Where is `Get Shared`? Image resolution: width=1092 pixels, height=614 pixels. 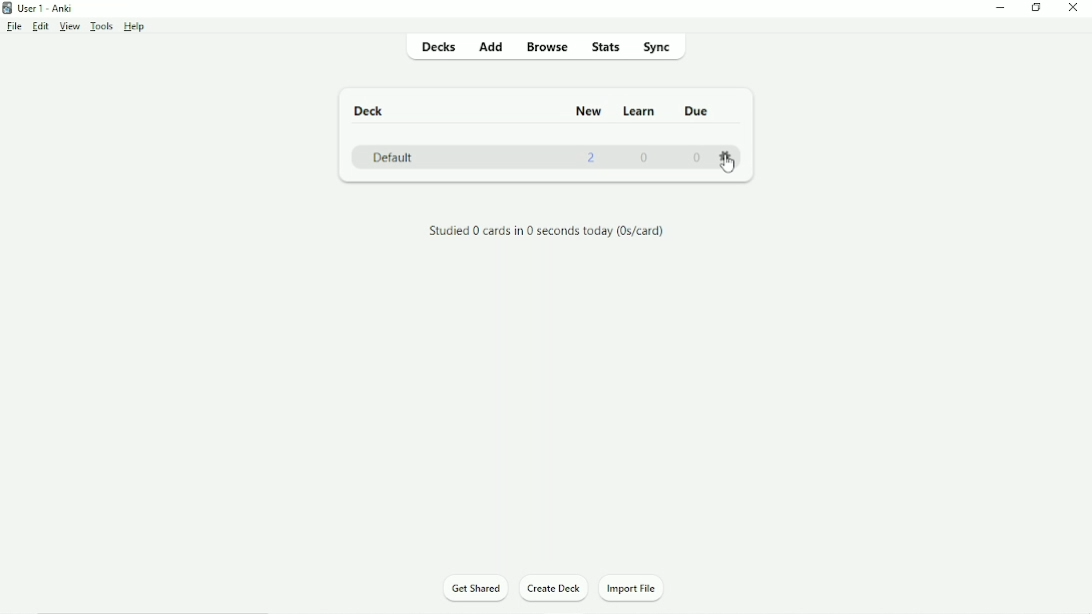 Get Shared is located at coordinates (474, 589).